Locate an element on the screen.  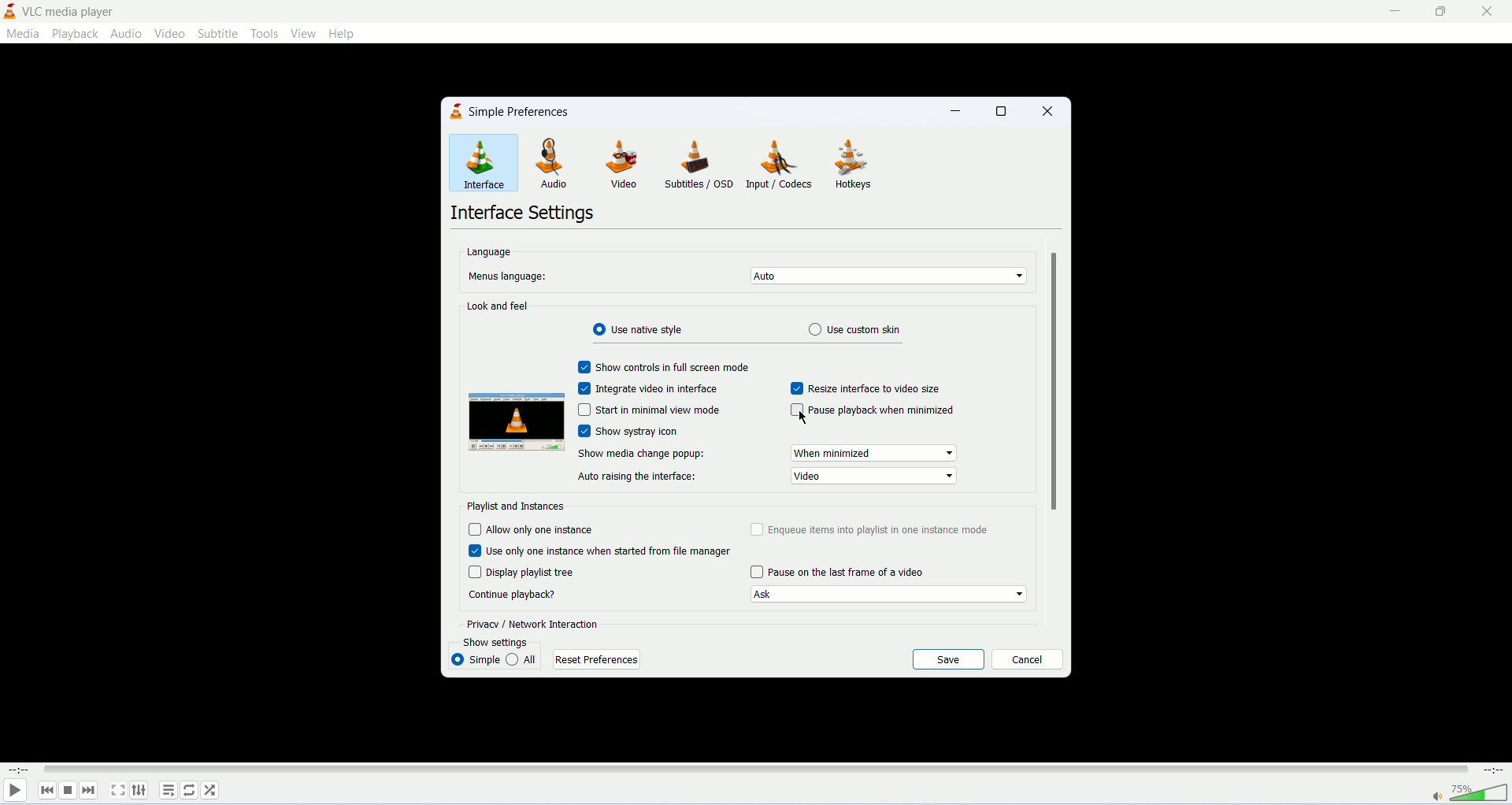
pause on last frame of video is located at coordinates (846, 571).